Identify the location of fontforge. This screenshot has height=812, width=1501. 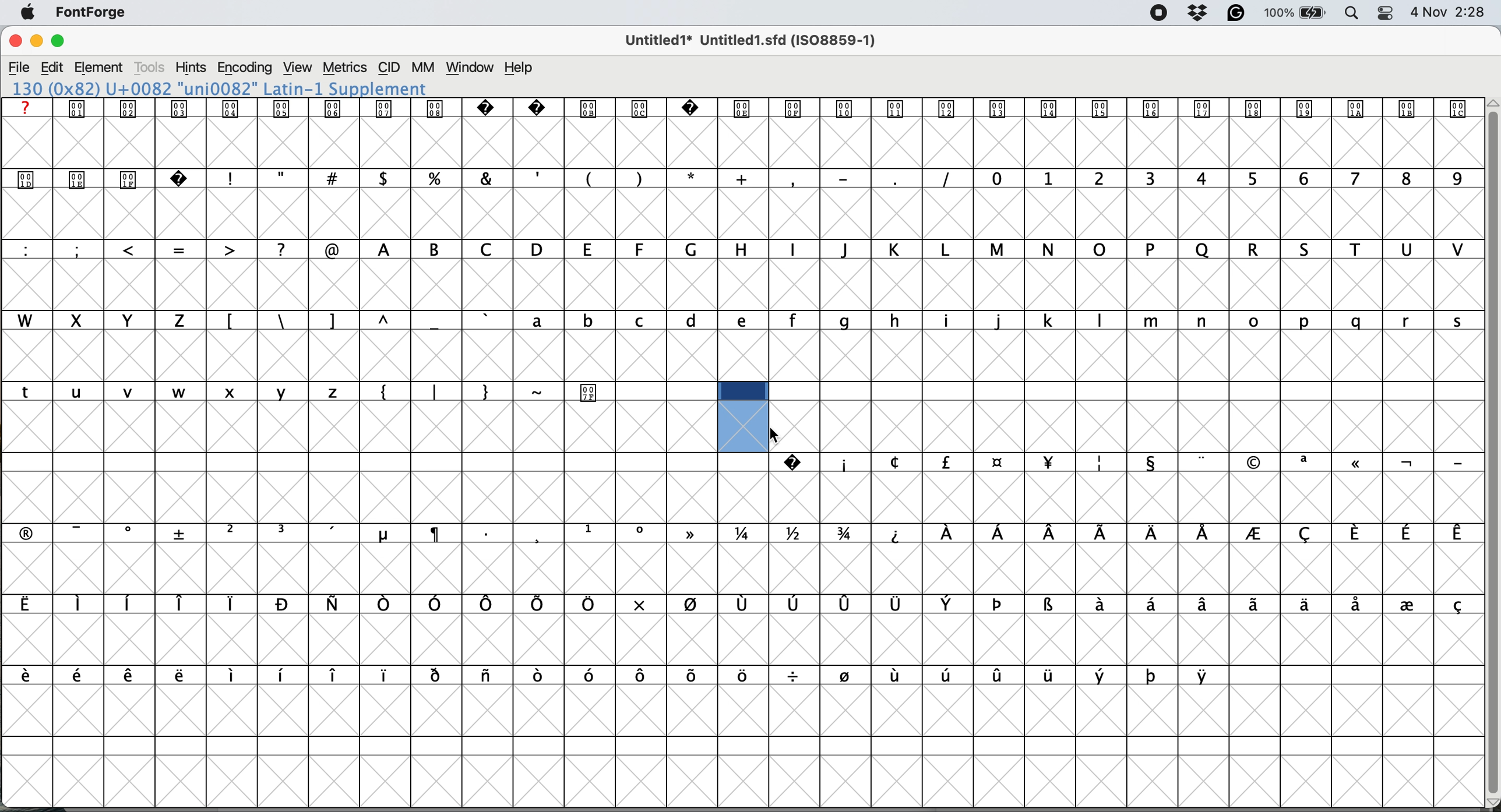
(92, 12).